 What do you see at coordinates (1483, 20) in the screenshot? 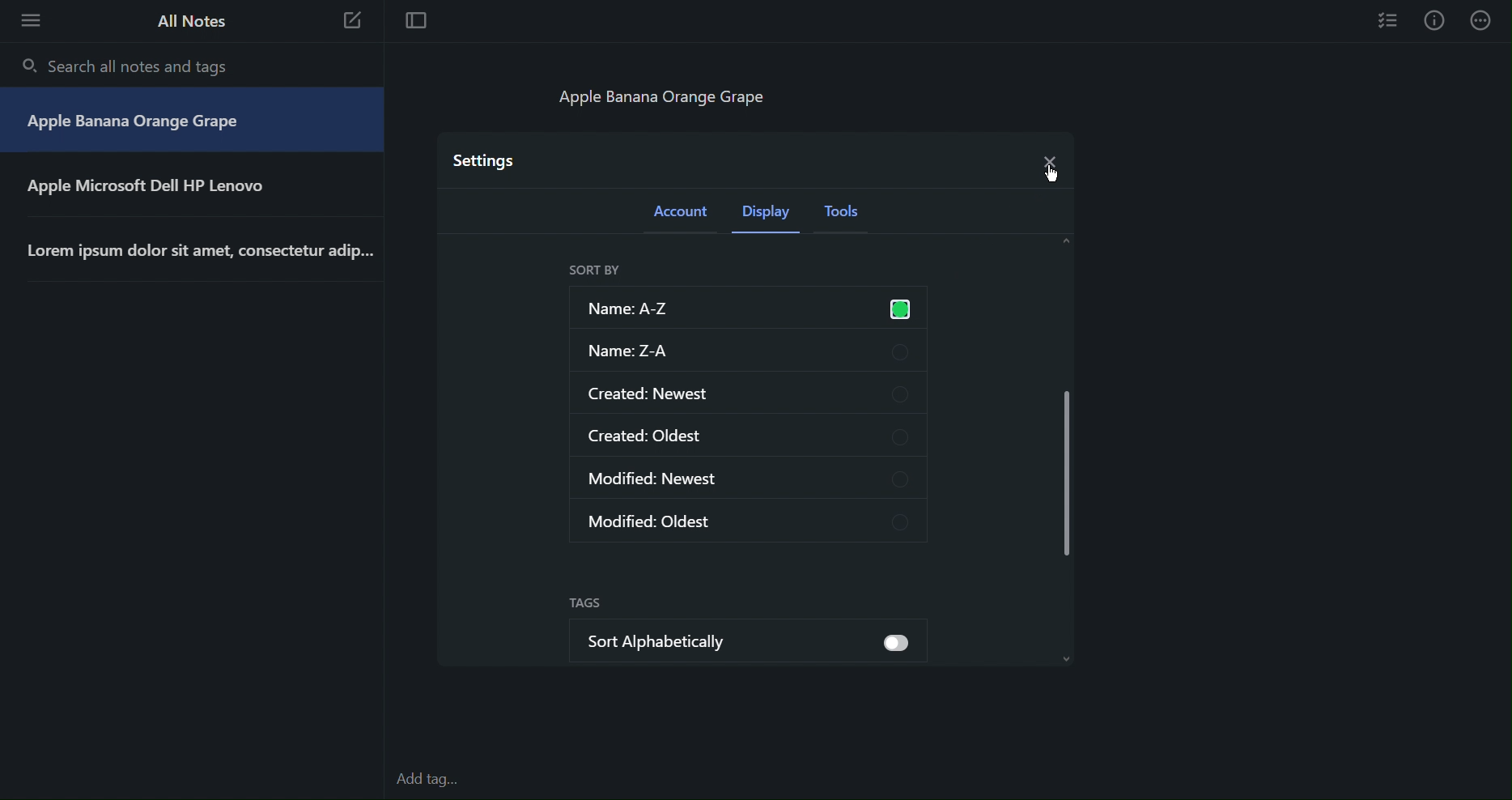
I see `More` at bounding box center [1483, 20].